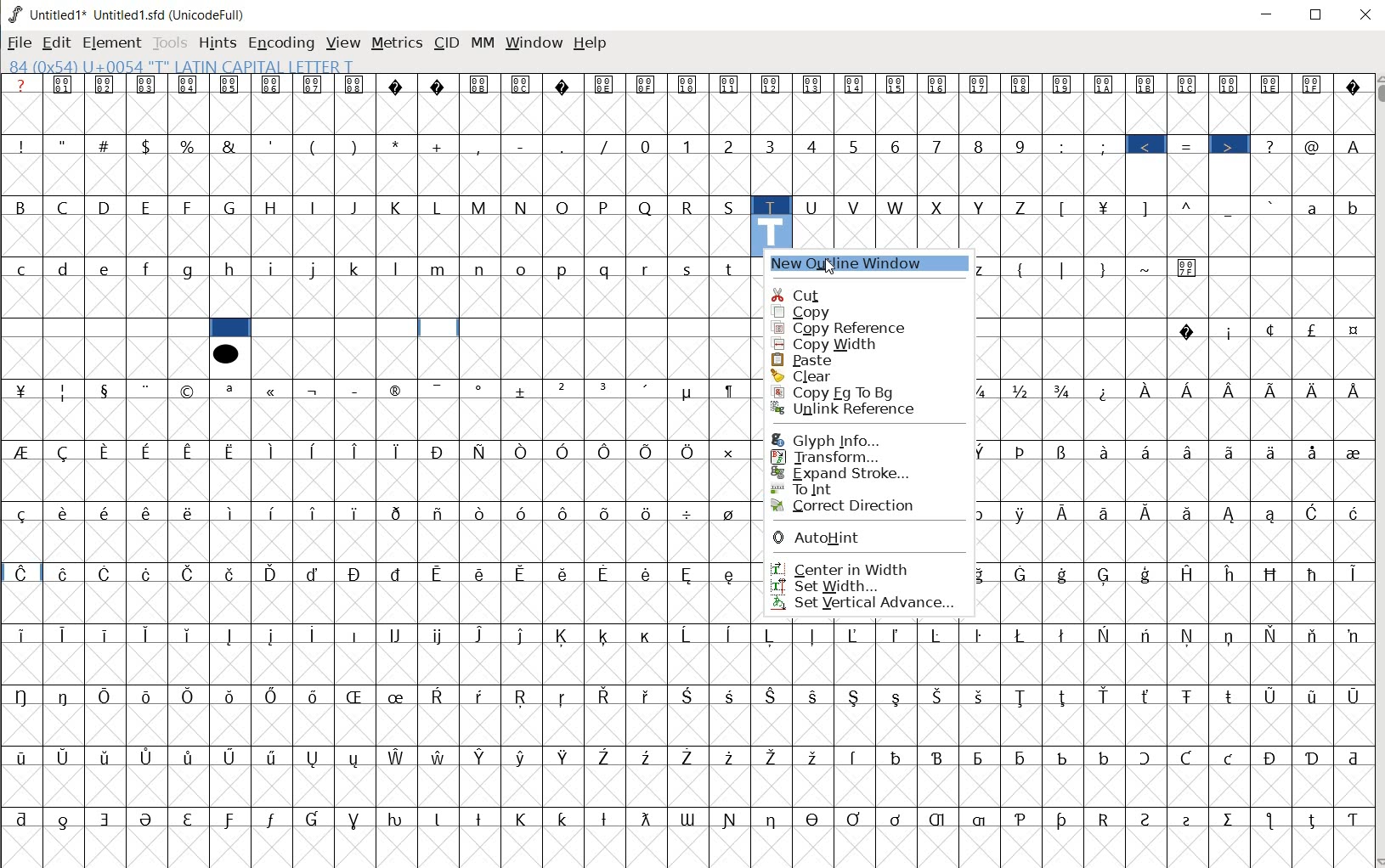 This screenshot has height=868, width=1385. Describe the element at coordinates (148, 147) in the screenshot. I see `$` at that location.